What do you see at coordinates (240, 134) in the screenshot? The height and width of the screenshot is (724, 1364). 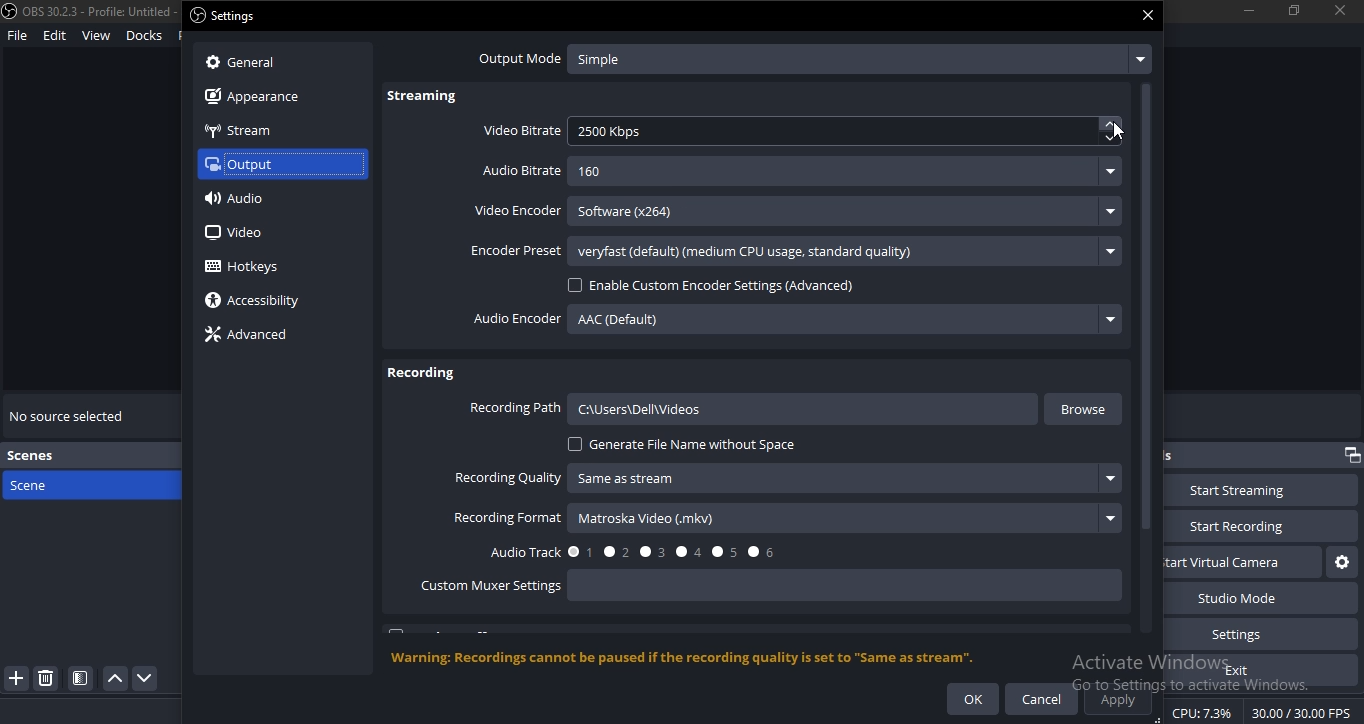 I see `stream` at bounding box center [240, 134].